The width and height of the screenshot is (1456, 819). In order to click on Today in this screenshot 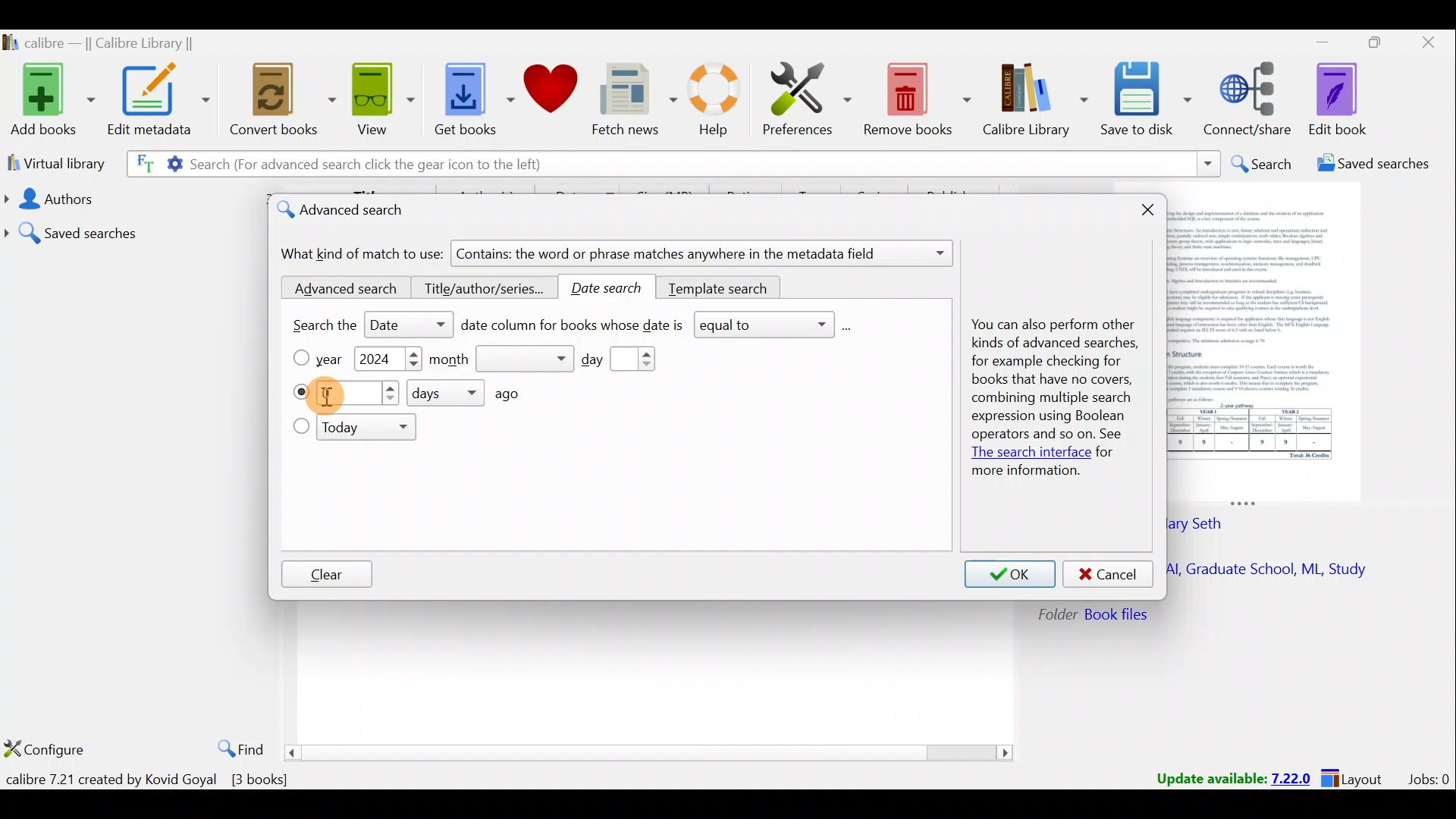, I will do `click(369, 429)`.